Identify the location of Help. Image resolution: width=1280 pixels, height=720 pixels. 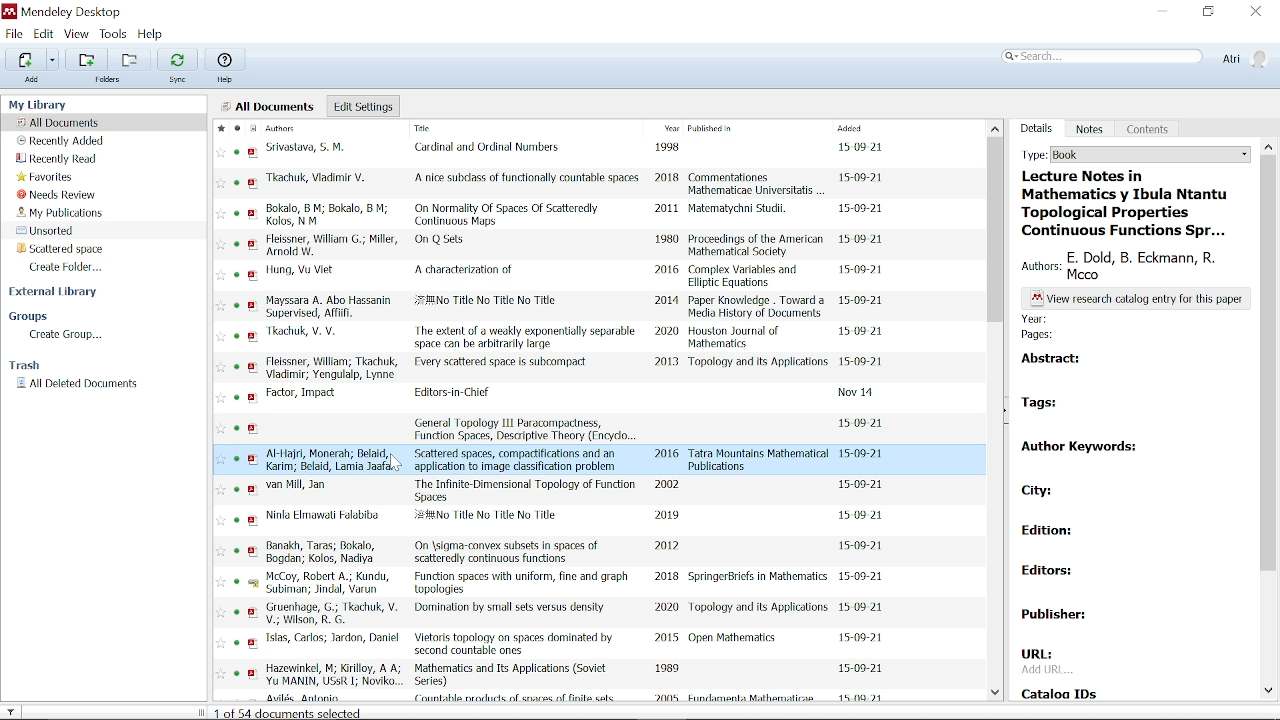
(154, 35).